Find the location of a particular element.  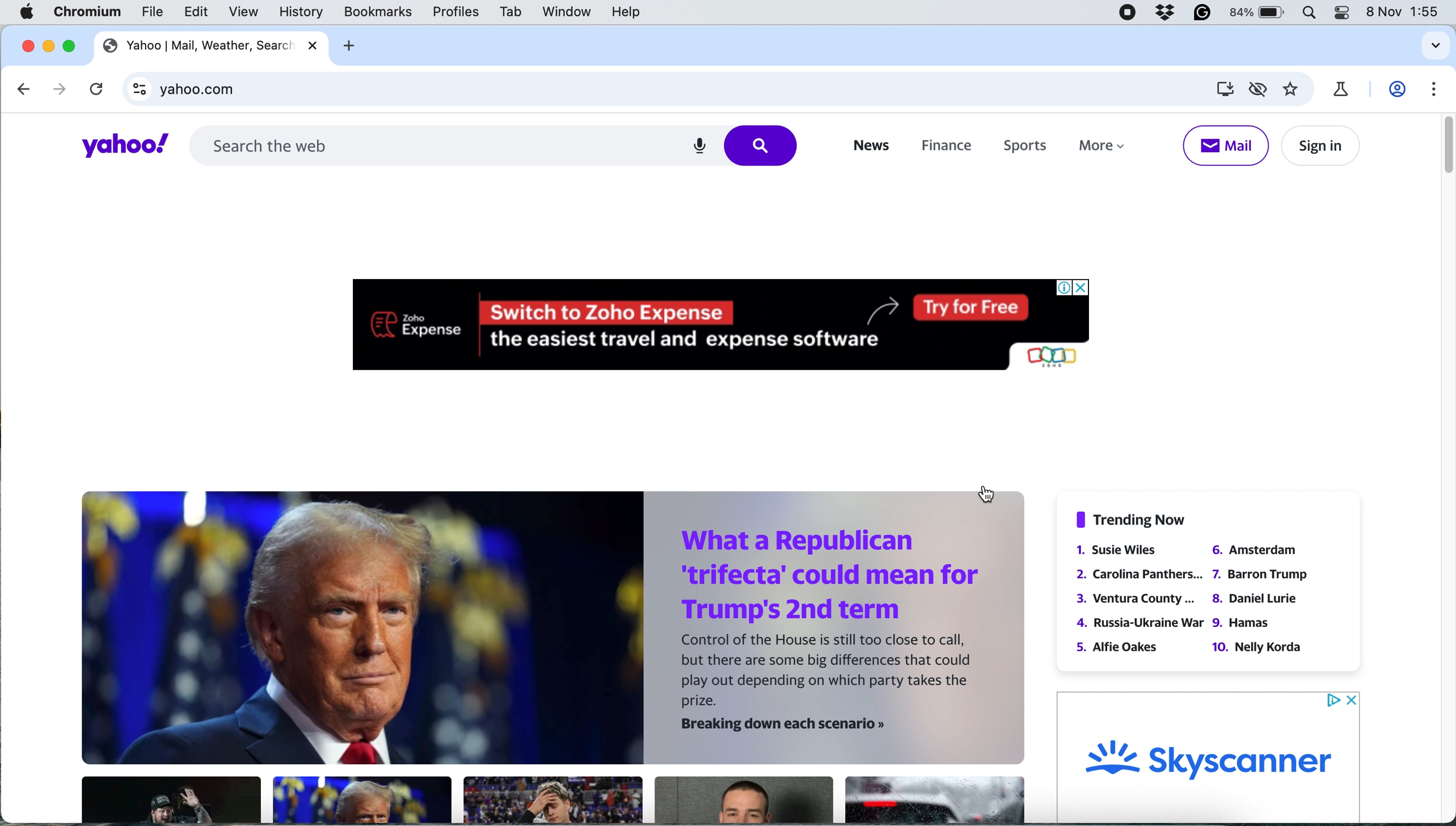

go forward is located at coordinates (59, 90).